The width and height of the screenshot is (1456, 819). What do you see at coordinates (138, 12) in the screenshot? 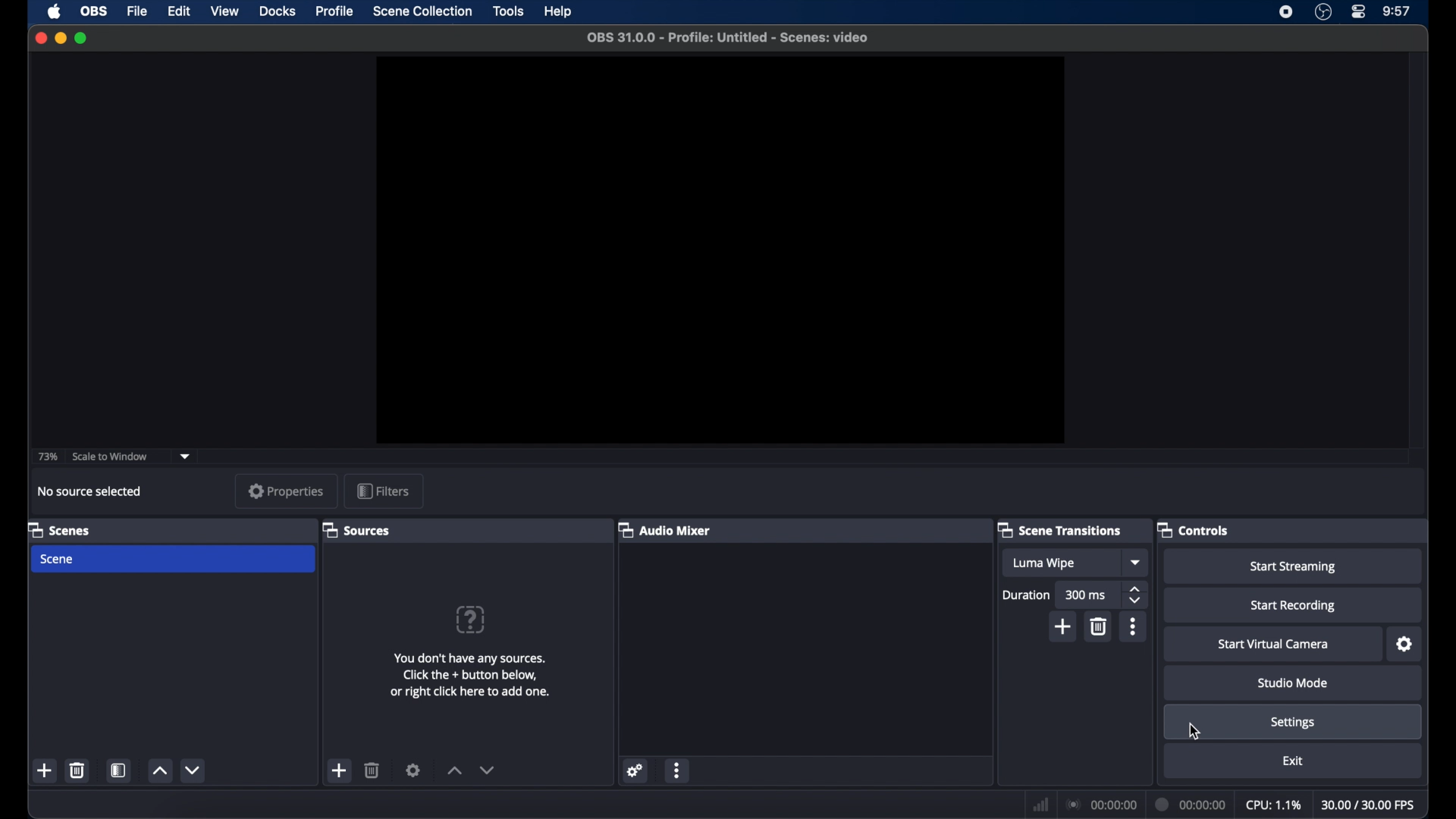
I see `file` at bounding box center [138, 12].